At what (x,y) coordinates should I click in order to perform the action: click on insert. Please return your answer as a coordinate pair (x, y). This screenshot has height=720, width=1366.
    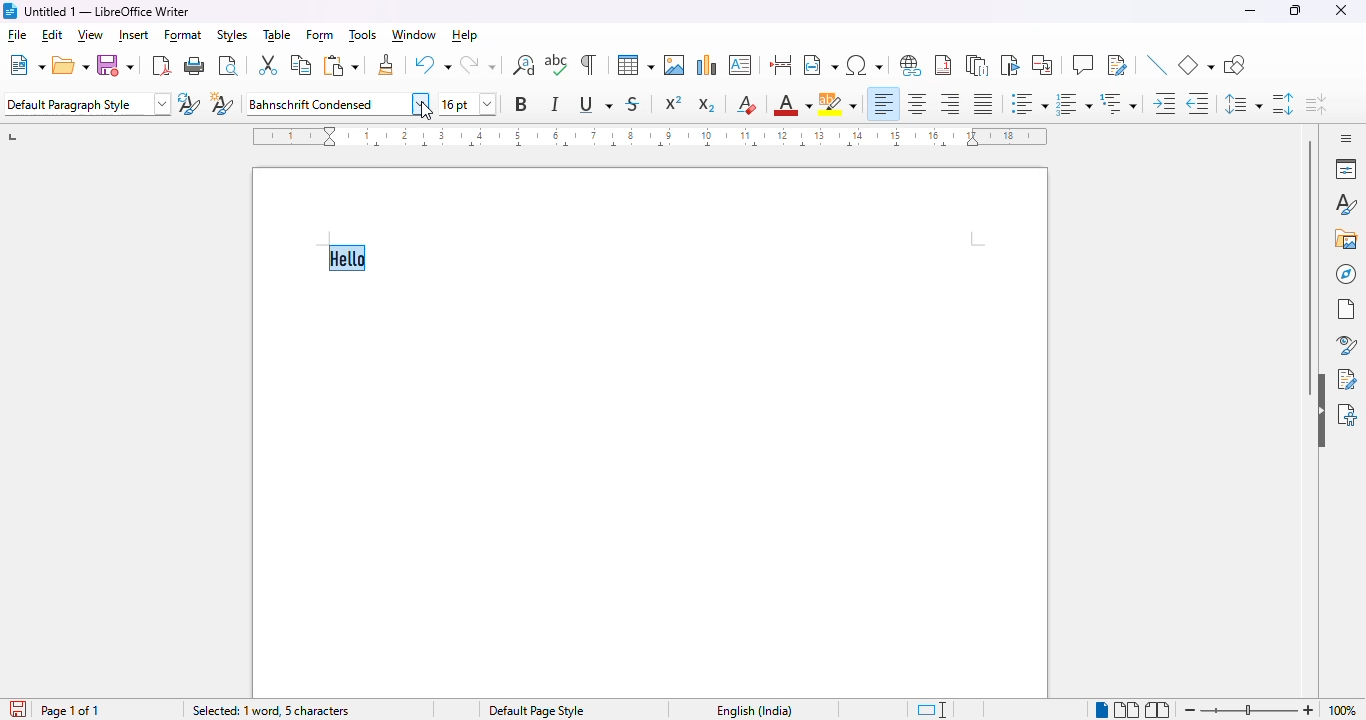
    Looking at the image, I should click on (134, 35).